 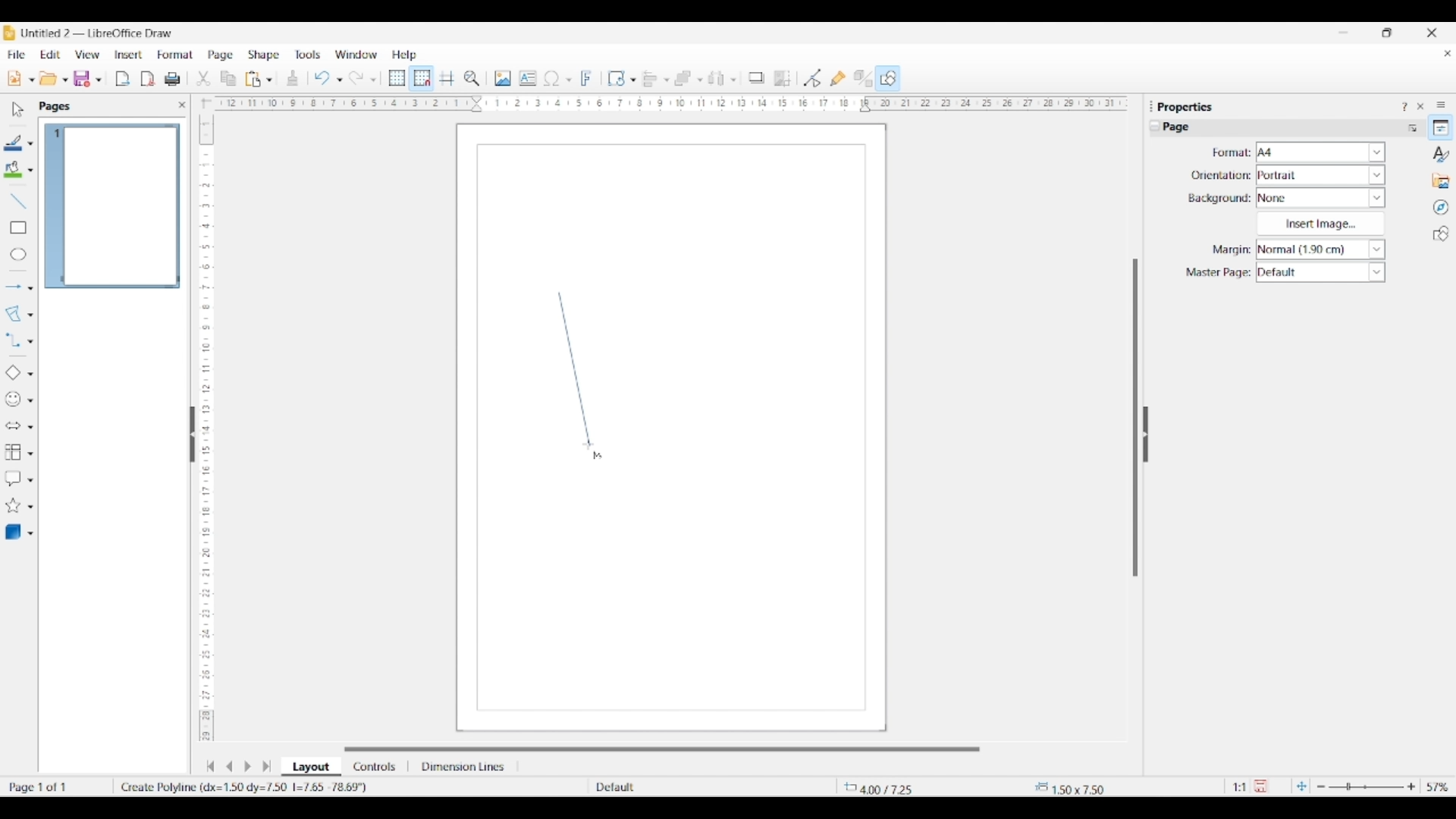 What do you see at coordinates (616, 78) in the screenshot?
I see `Selected transformation` at bounding box center [616, 78].